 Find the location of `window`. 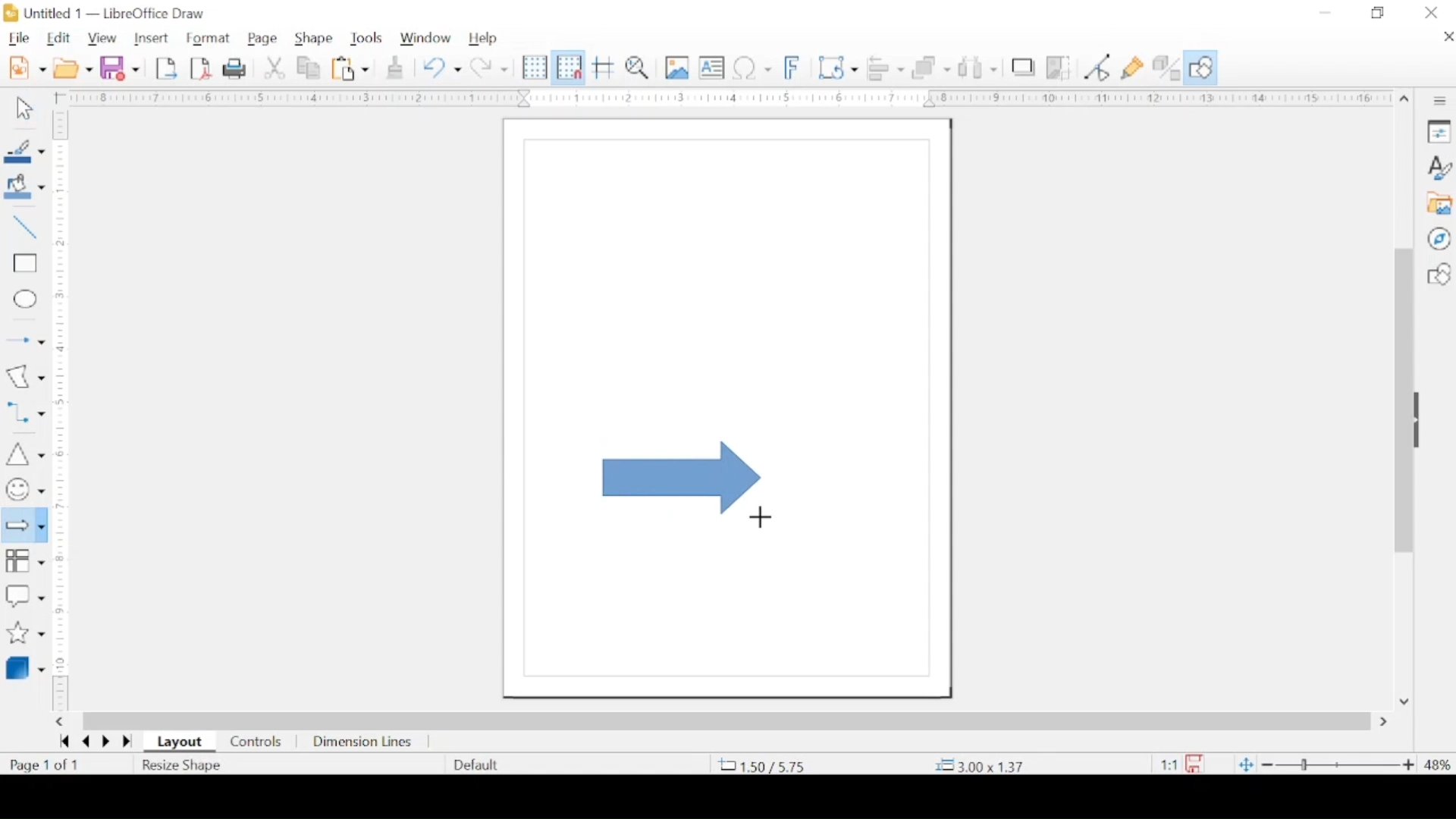

window is located at coordinates (427, 38).